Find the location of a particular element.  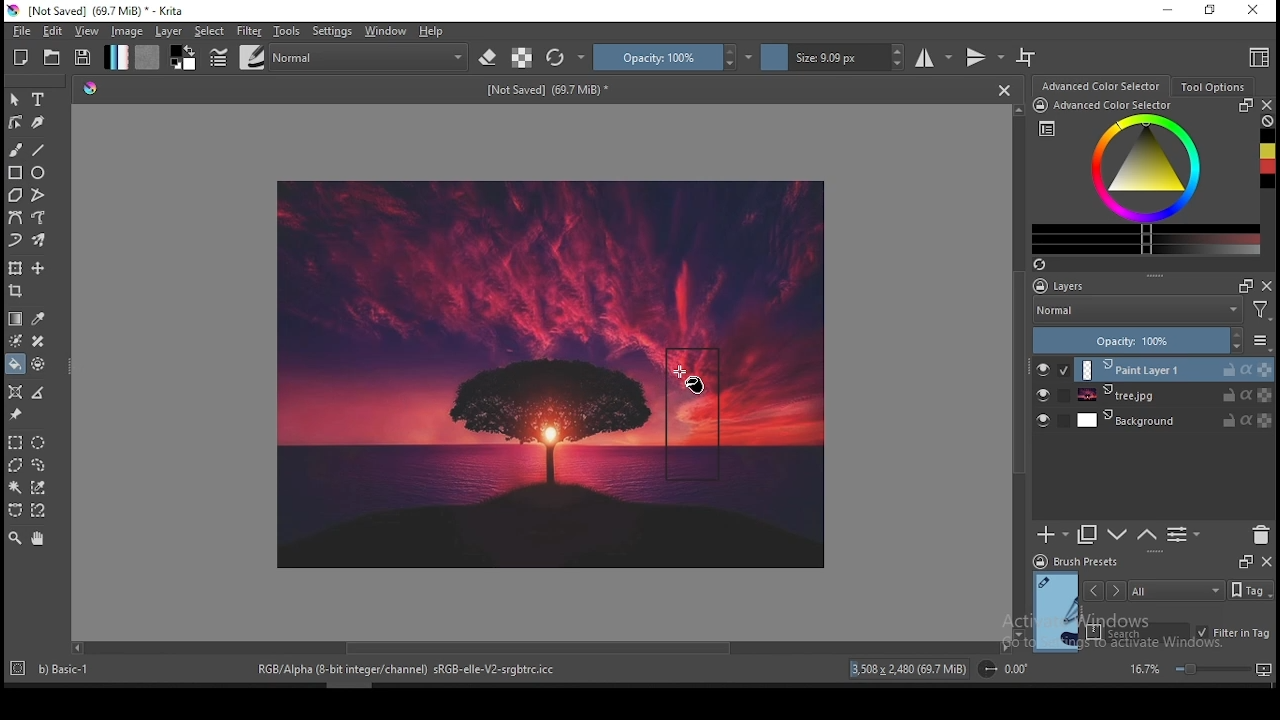

advanced color selector is located at coordinates (1146, 177).